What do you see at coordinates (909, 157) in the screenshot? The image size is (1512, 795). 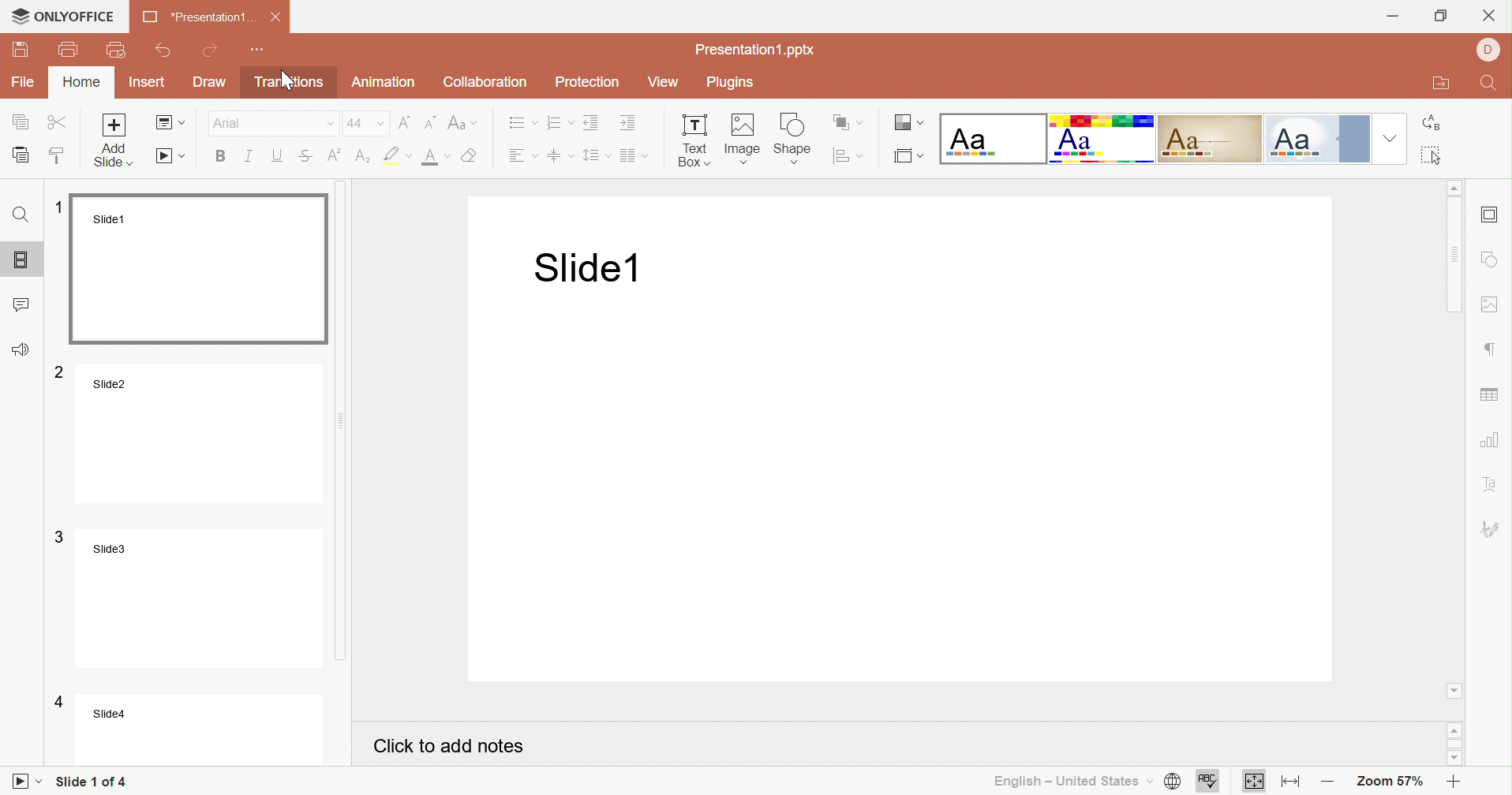 I see `Select slide size` at bounding box center [909, 157].